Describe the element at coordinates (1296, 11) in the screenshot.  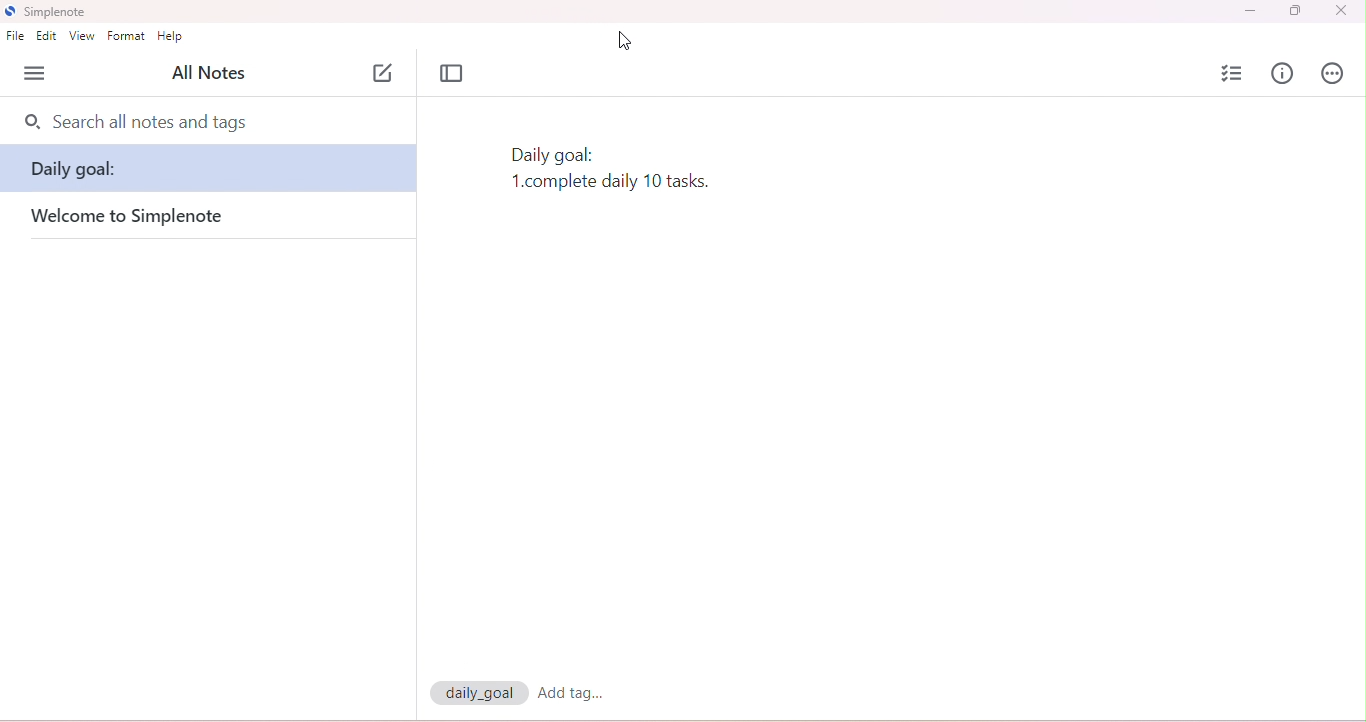
I see `maximize` at that location.